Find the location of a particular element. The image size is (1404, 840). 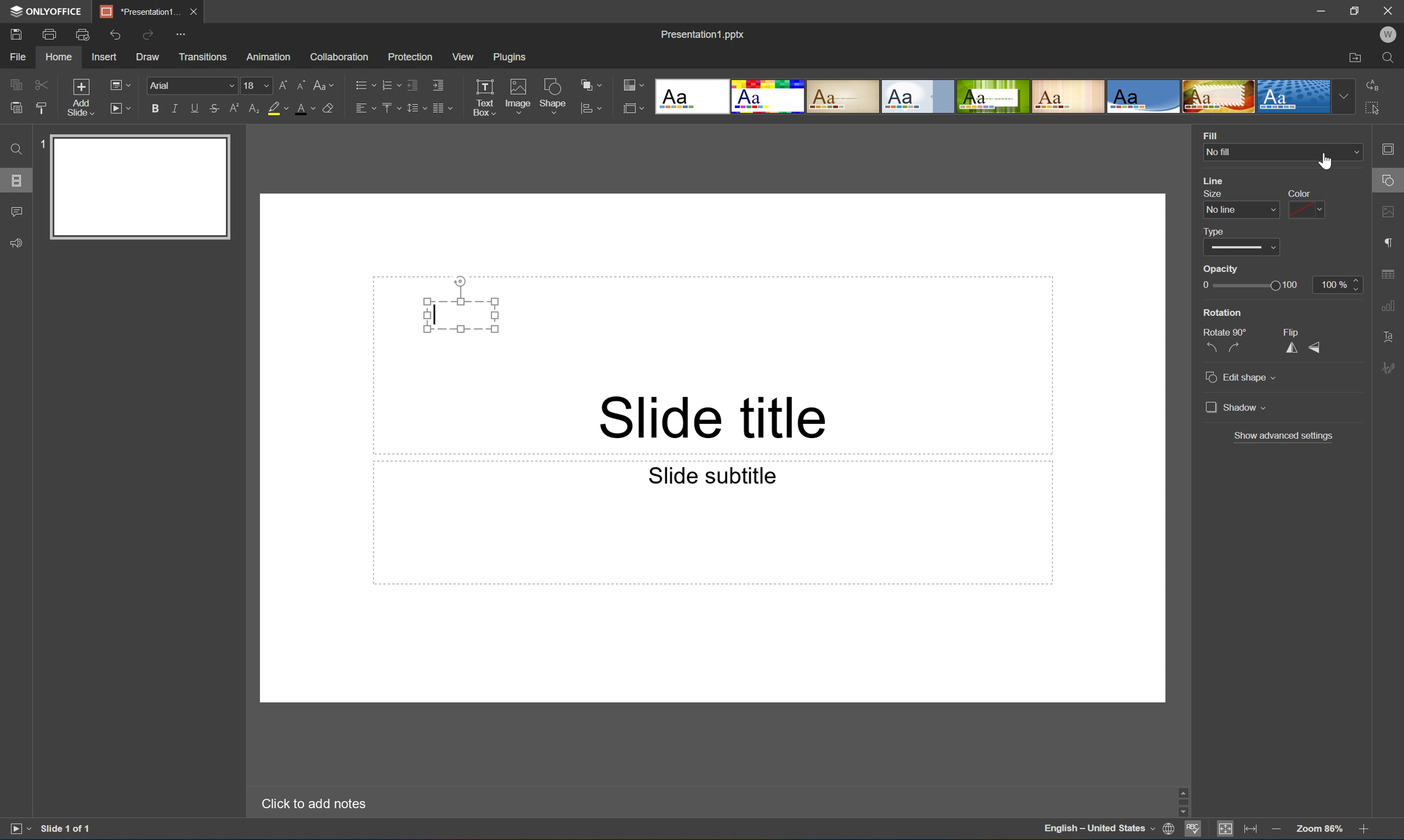

Slides is located at coordinates (19, 181).